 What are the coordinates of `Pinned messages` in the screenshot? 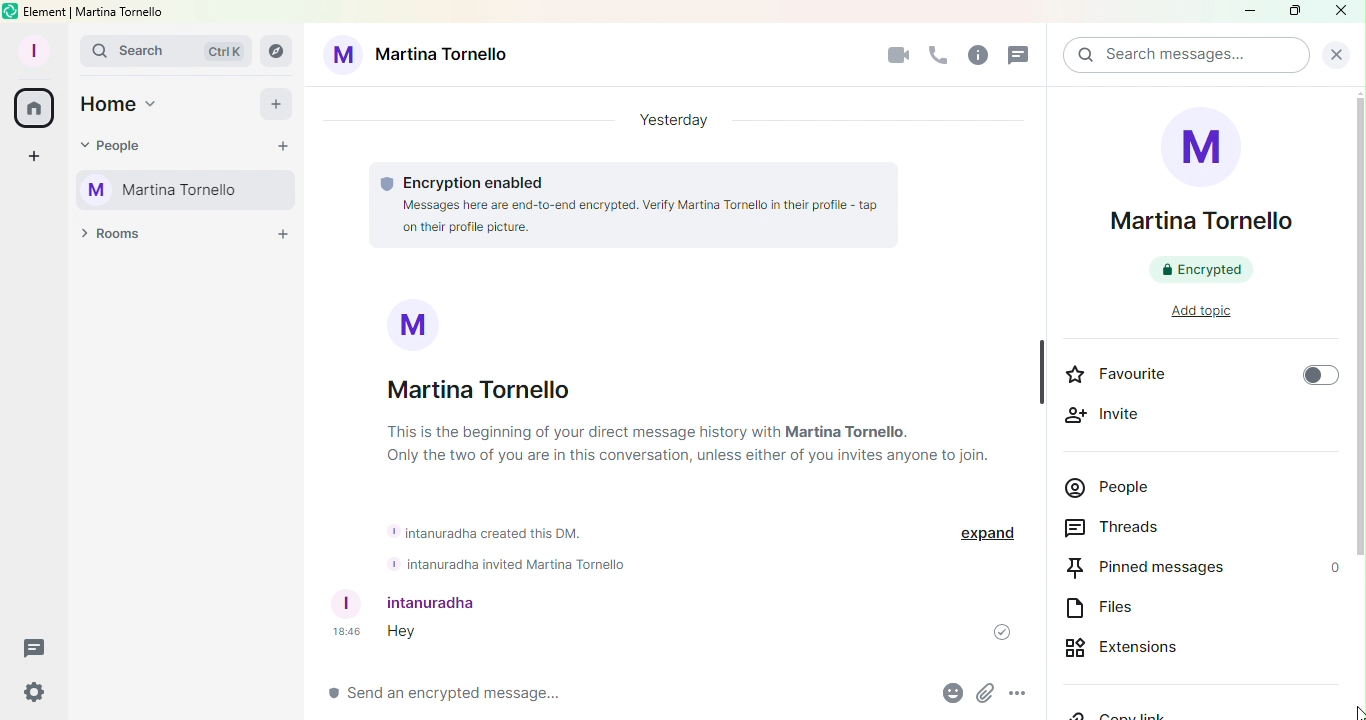 It's located at (1195, 566).